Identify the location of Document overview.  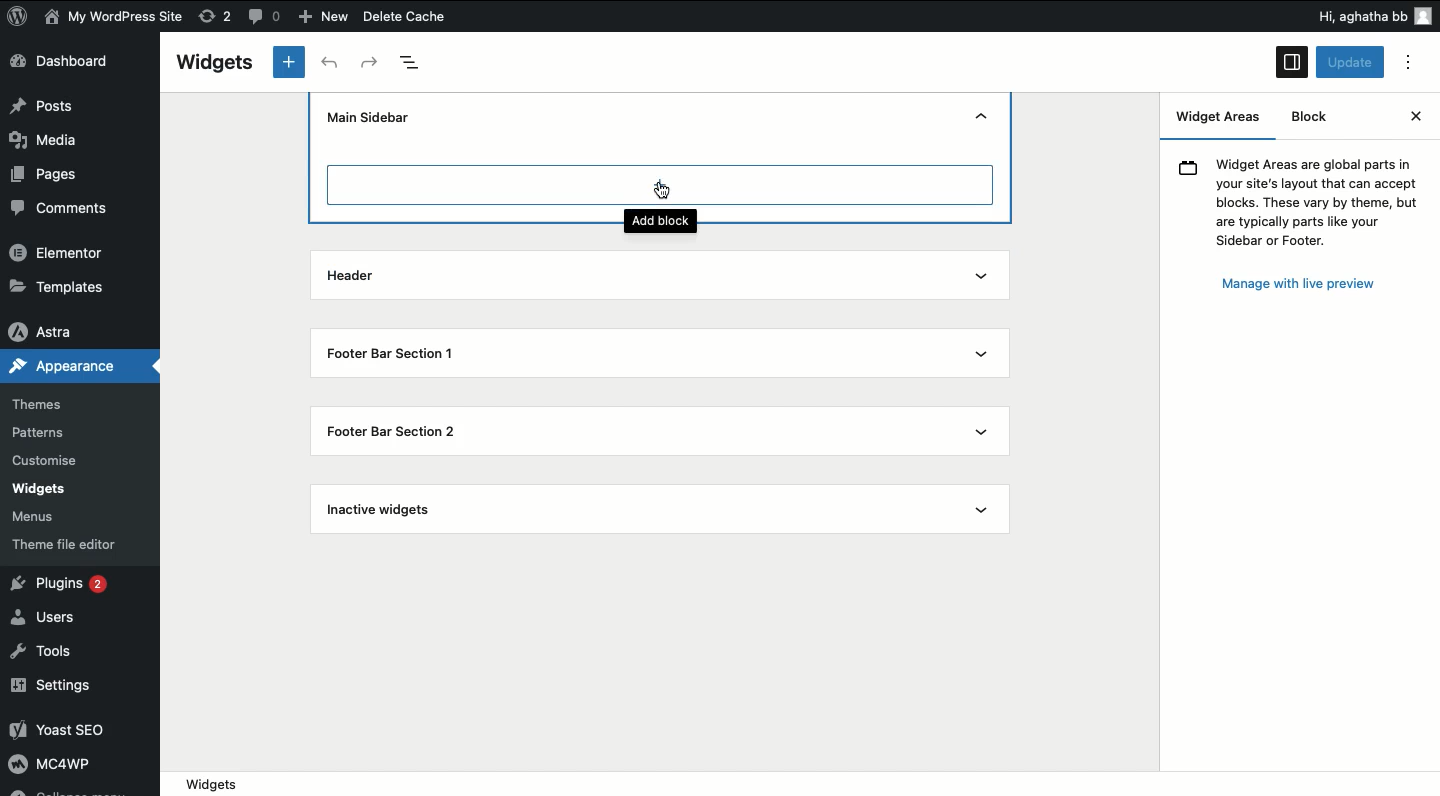
(419, 67).